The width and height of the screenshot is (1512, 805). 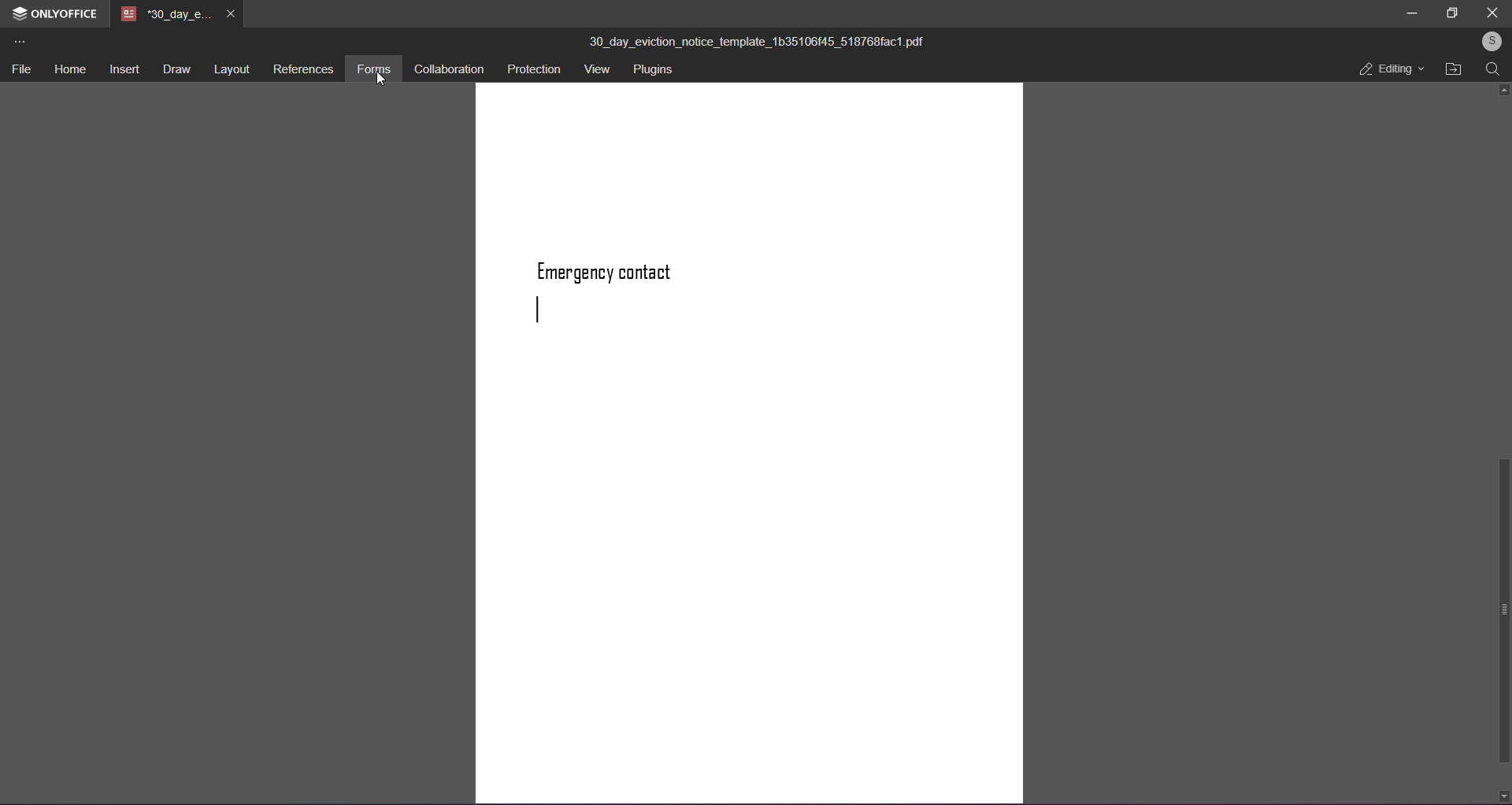 What do you see at coordinates (121, 72) in the screenshot?
I see `insert` at bounding box center [121, 72].